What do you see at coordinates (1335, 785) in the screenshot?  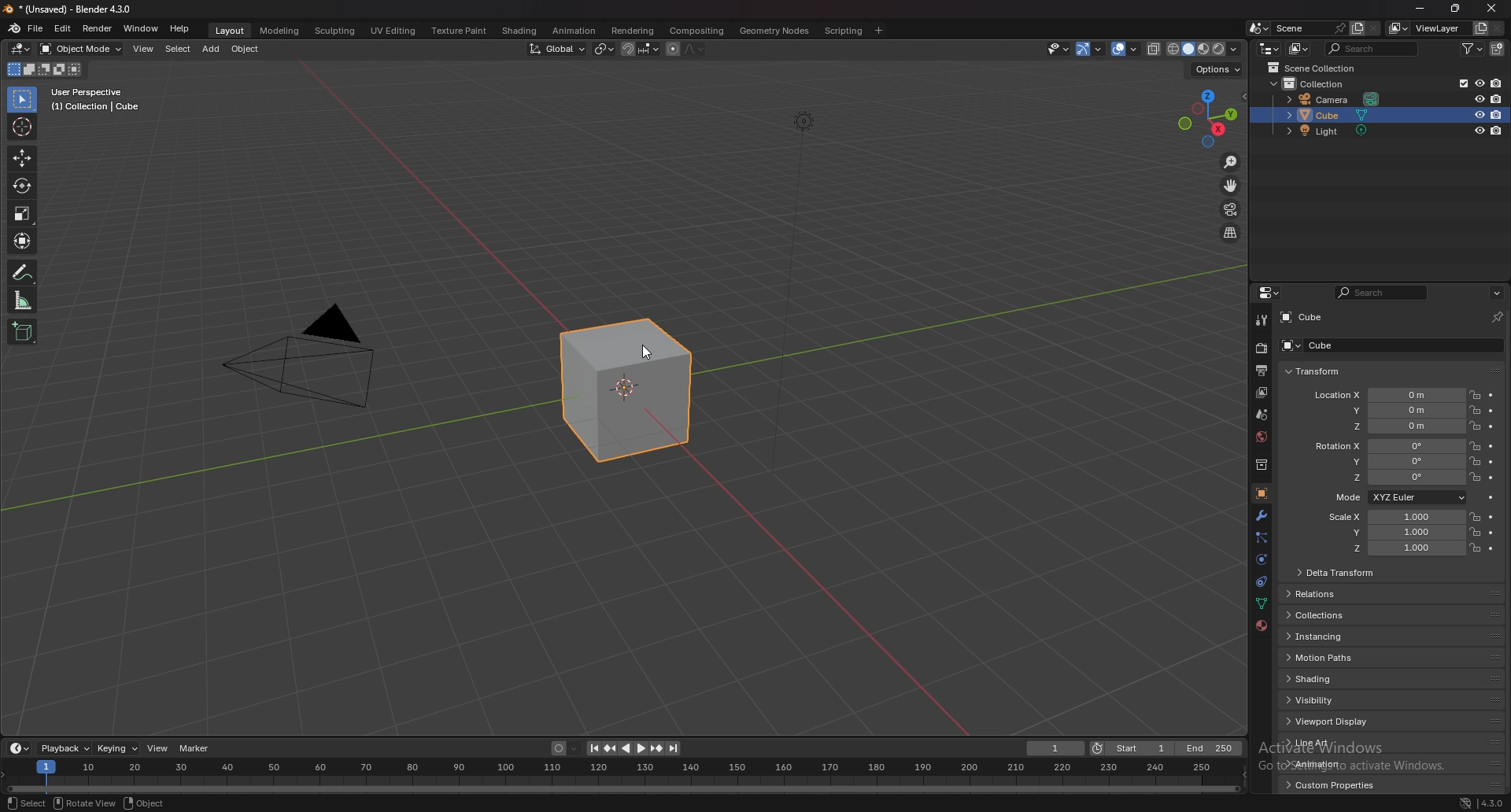 I see `custom properties` at bounding box center [1335, 785].